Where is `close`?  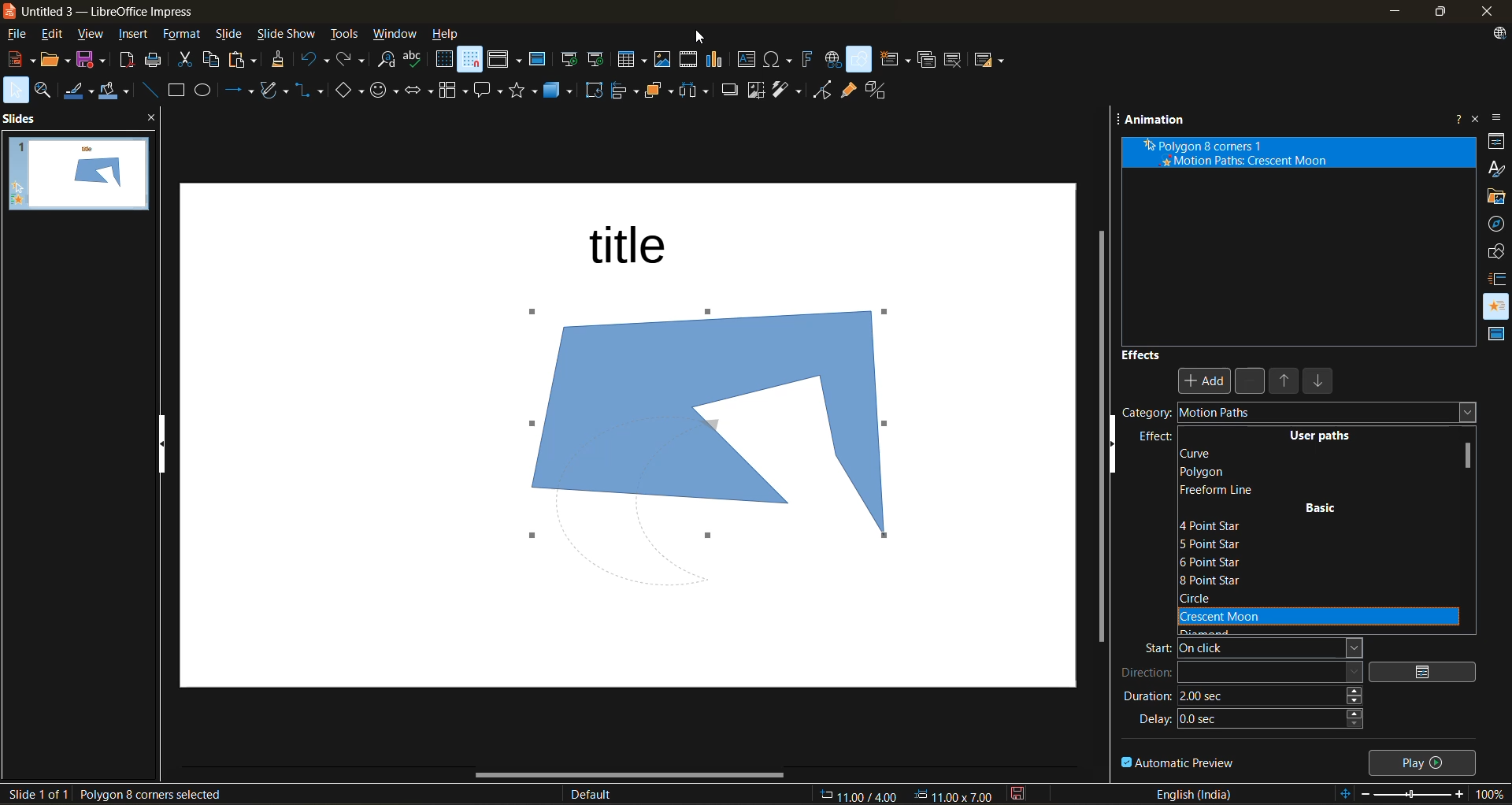
close is located at coordinates (1490, 13).